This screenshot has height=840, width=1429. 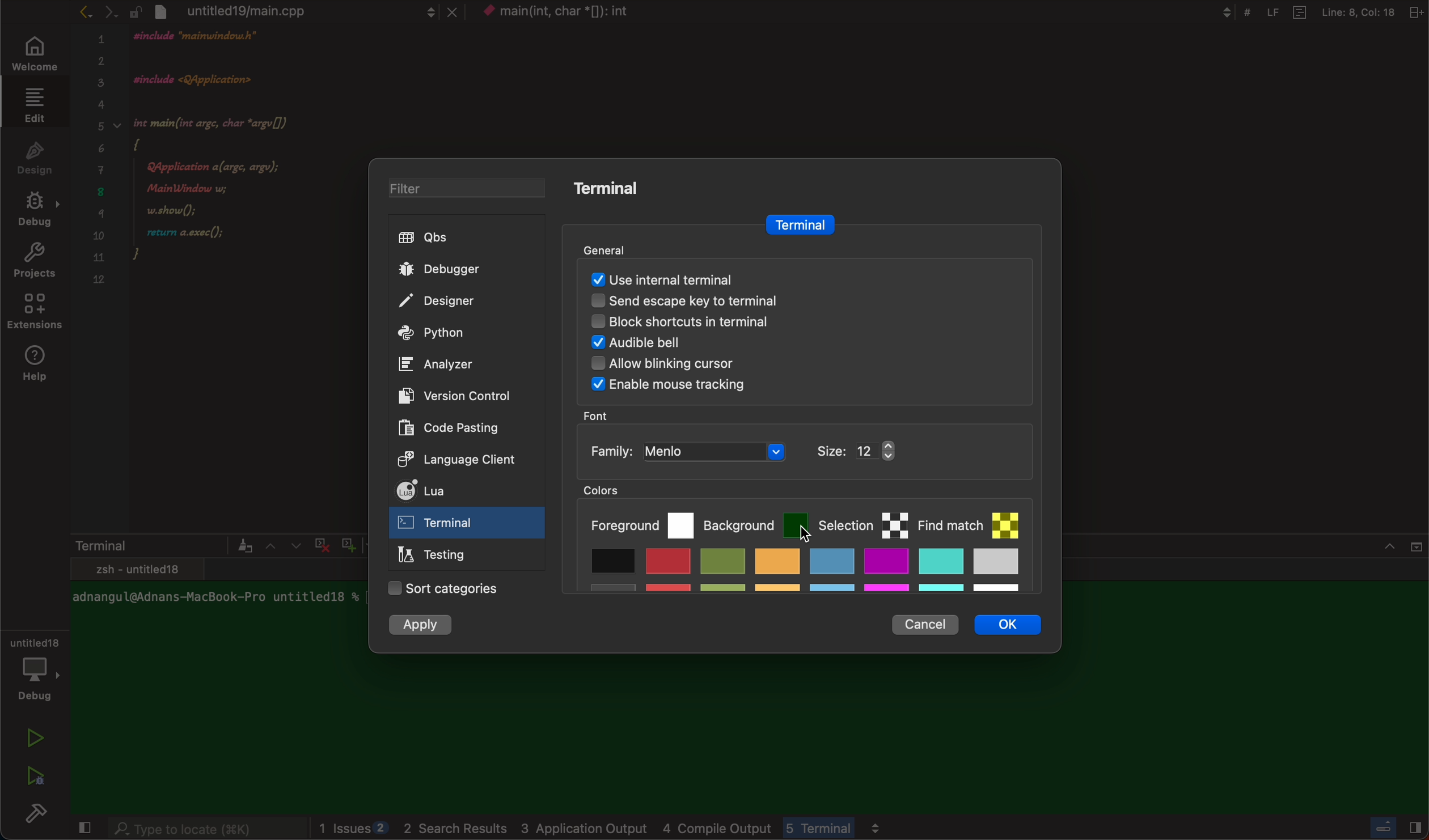 What do you see at coordinates (32, 55) in the screenshot?
I see `welcome` at bounding box center [32, 55].